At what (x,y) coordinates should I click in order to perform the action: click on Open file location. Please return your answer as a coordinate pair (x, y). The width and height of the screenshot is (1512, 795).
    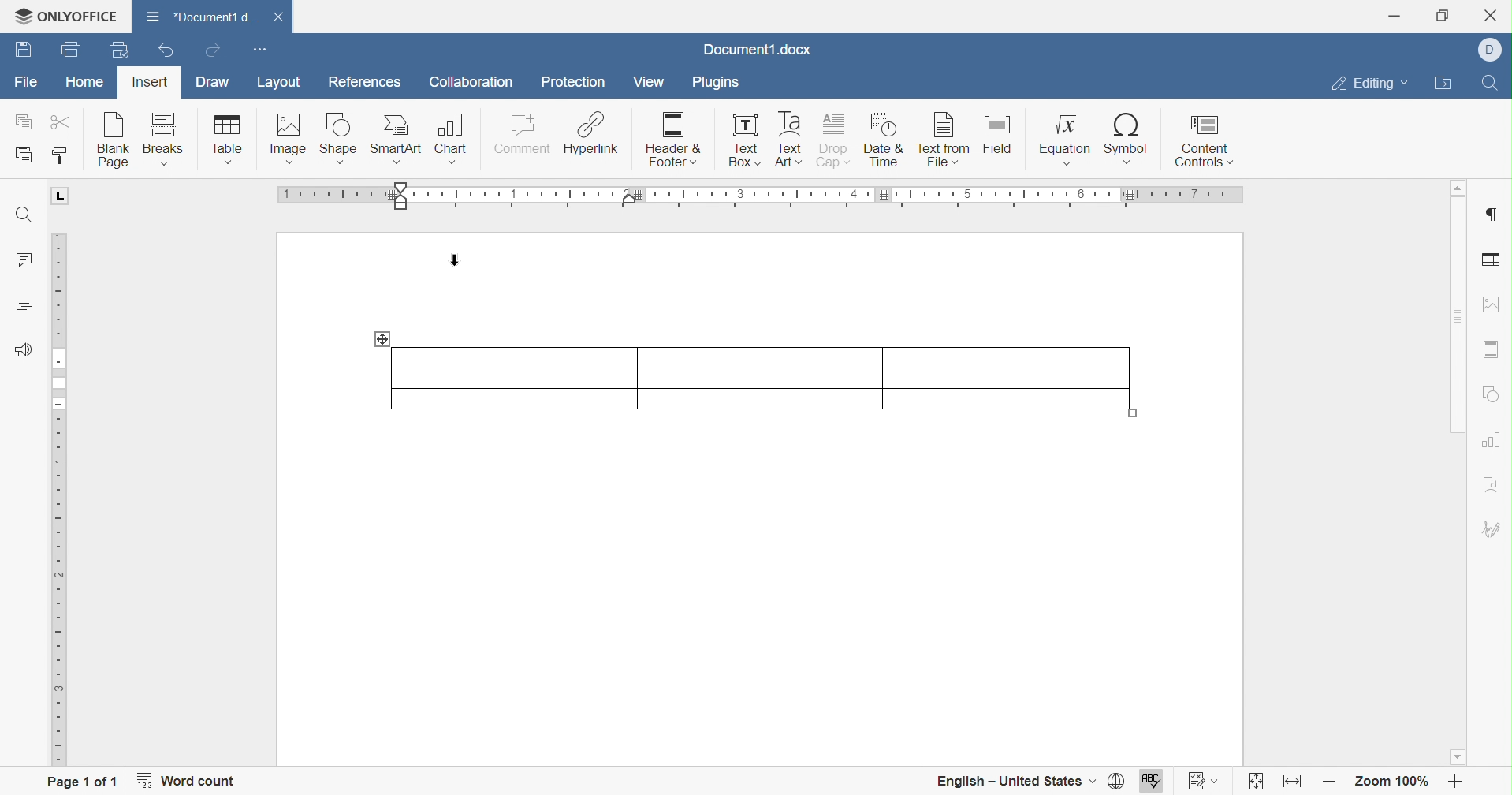
    Looking at the image, I should click on (1447, 85).